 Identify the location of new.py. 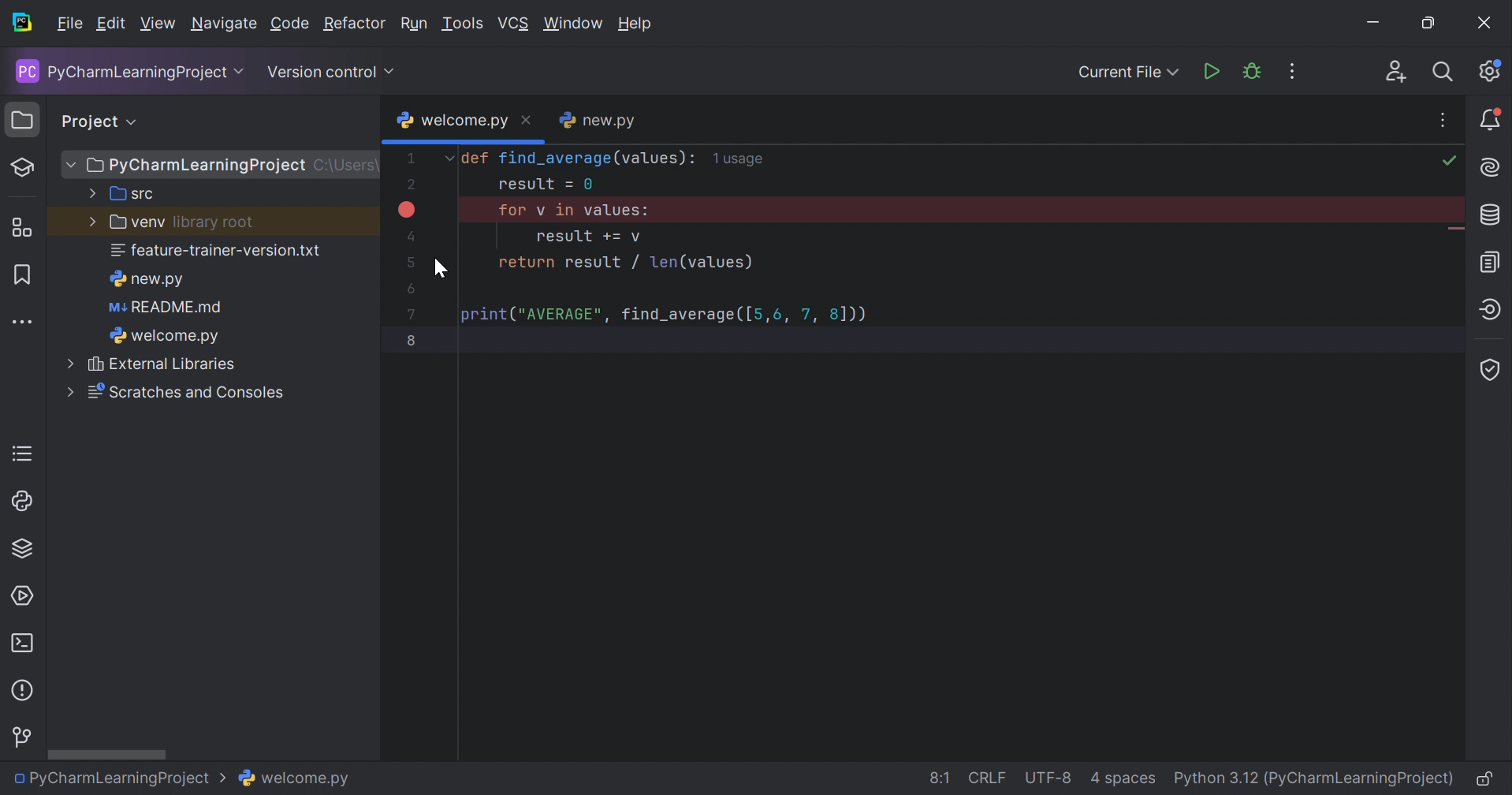
(151, 281).